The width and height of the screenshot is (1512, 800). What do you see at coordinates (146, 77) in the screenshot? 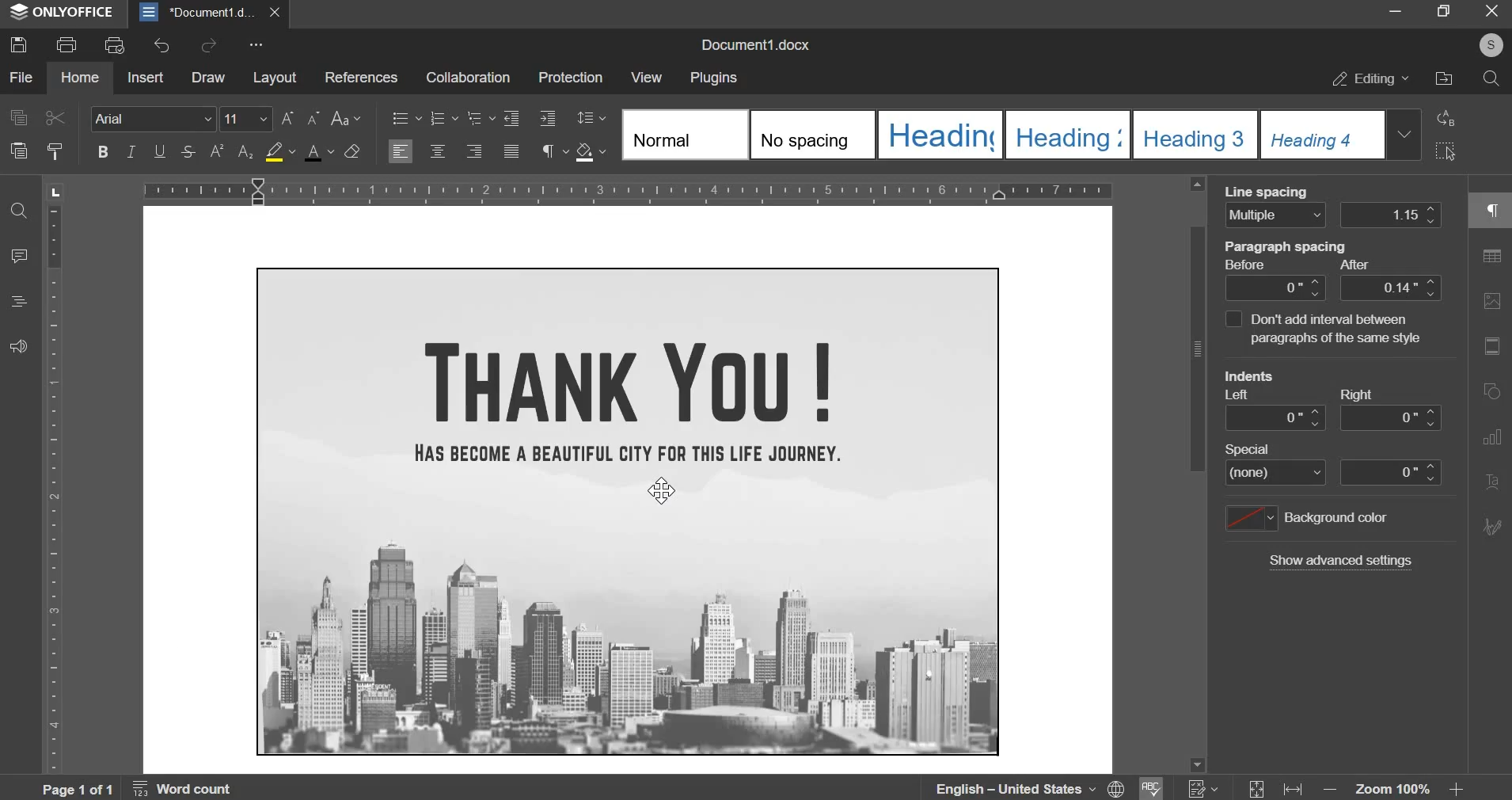
I see `insert` at bounding box center [146, 77].